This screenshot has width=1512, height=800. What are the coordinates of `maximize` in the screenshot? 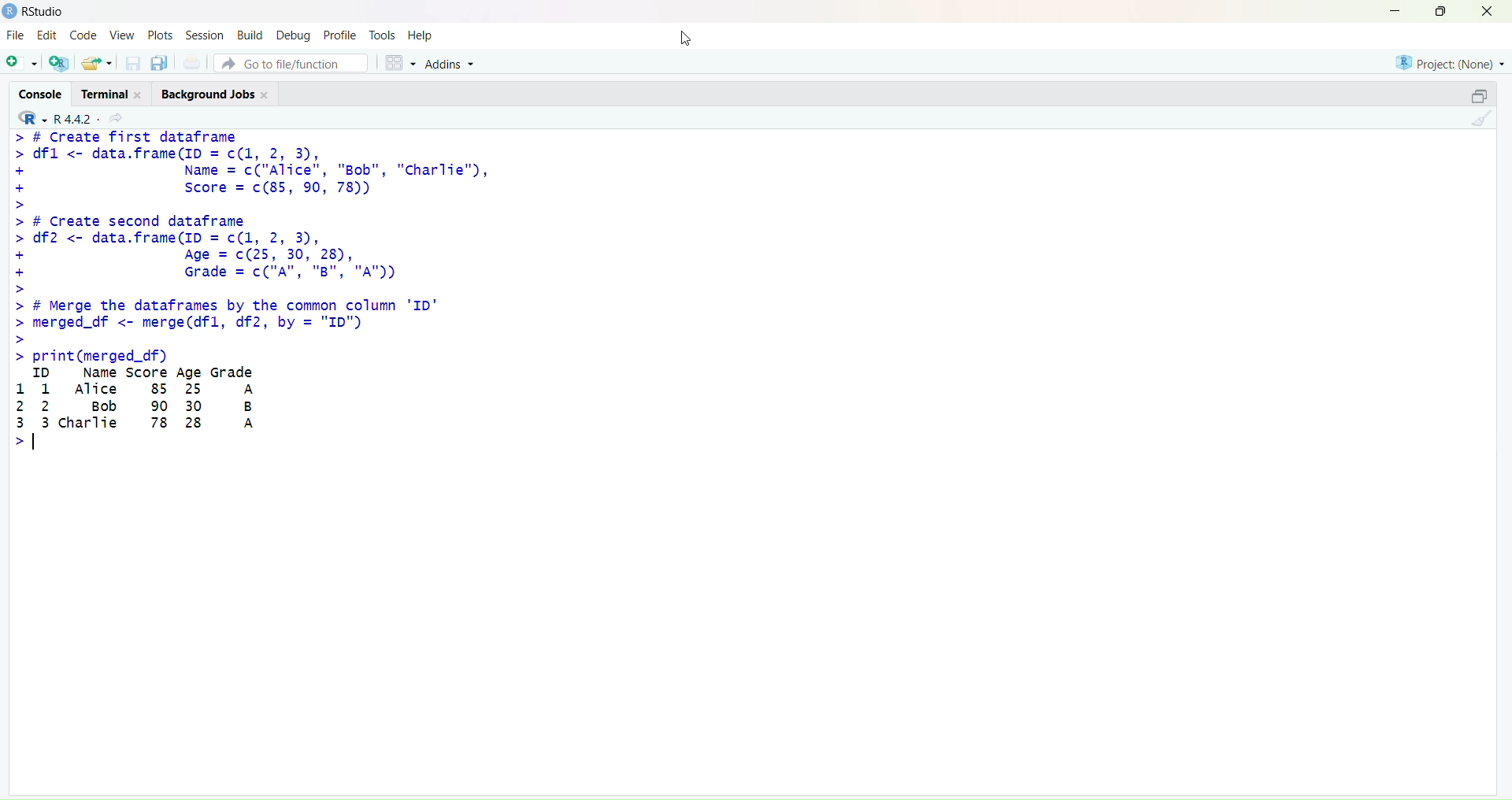 It's located at (1479, 94).